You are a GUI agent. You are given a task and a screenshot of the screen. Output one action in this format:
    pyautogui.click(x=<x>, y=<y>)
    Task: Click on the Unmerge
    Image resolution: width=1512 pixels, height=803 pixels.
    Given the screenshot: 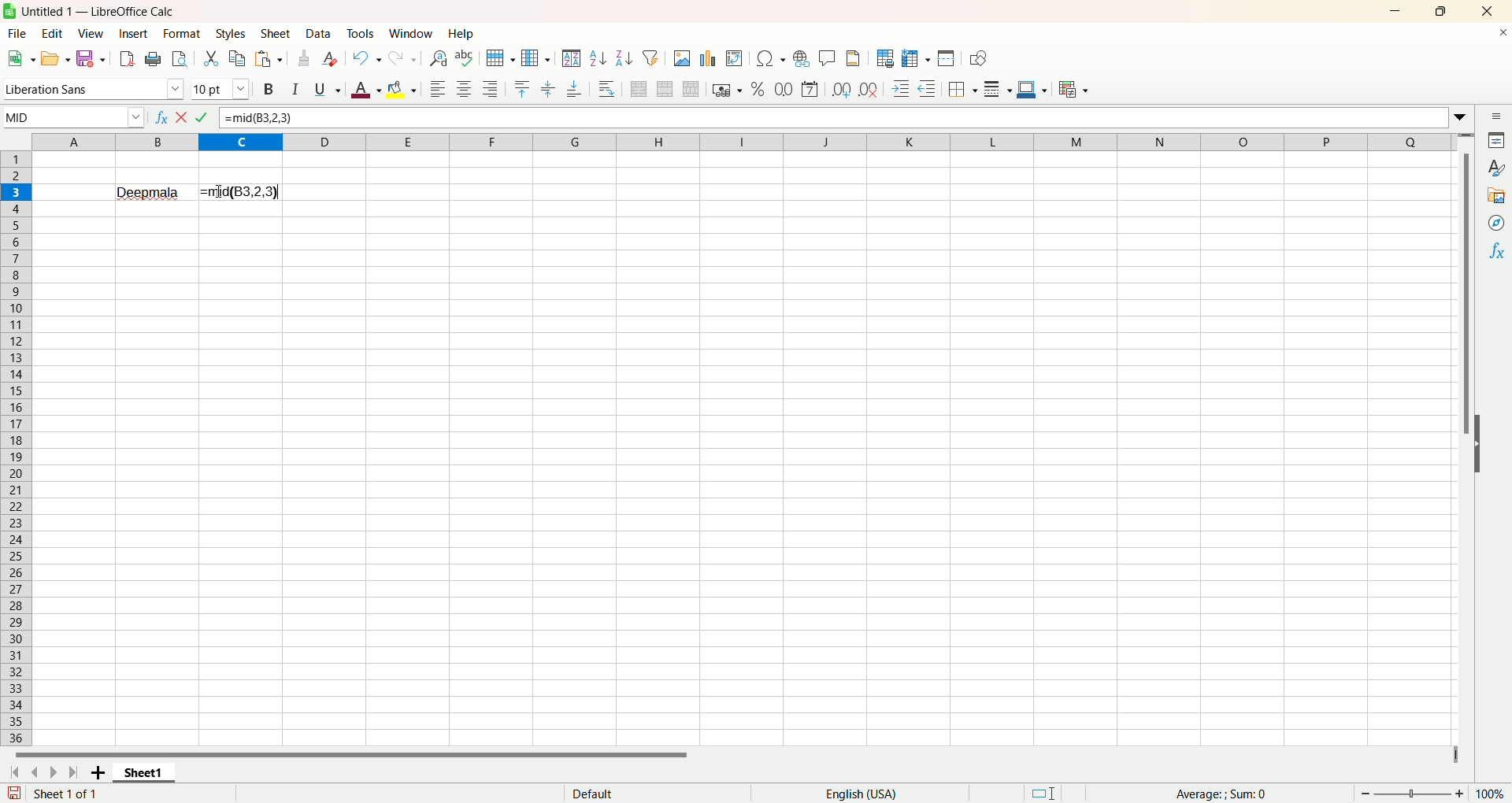 What is the action you would take?
    pyautogui.click(x=692, y=89)
    